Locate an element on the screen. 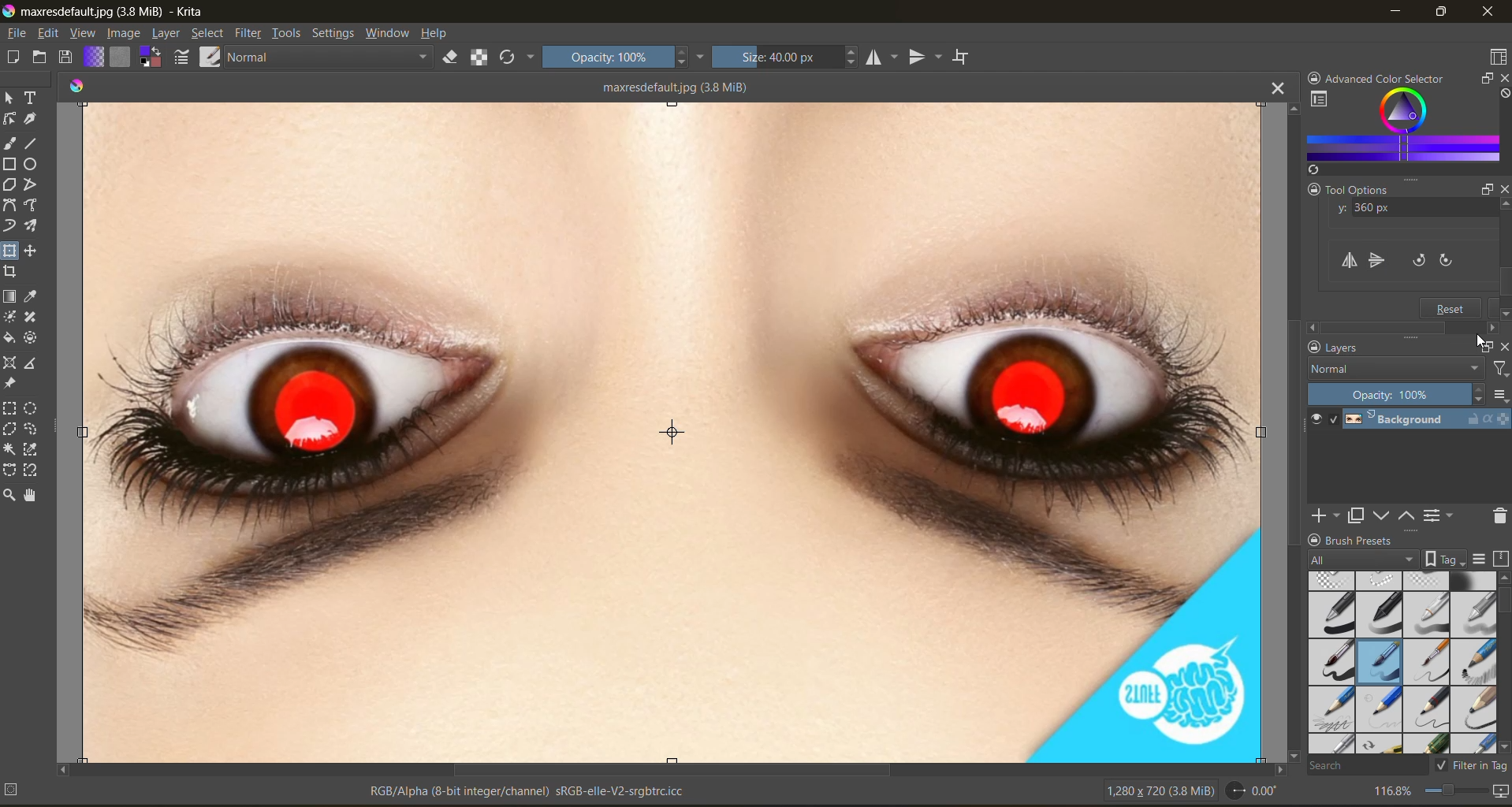 Image resolution: width=1512 pixels, height=807 pixels. tool is located at coordinates (36, 295).